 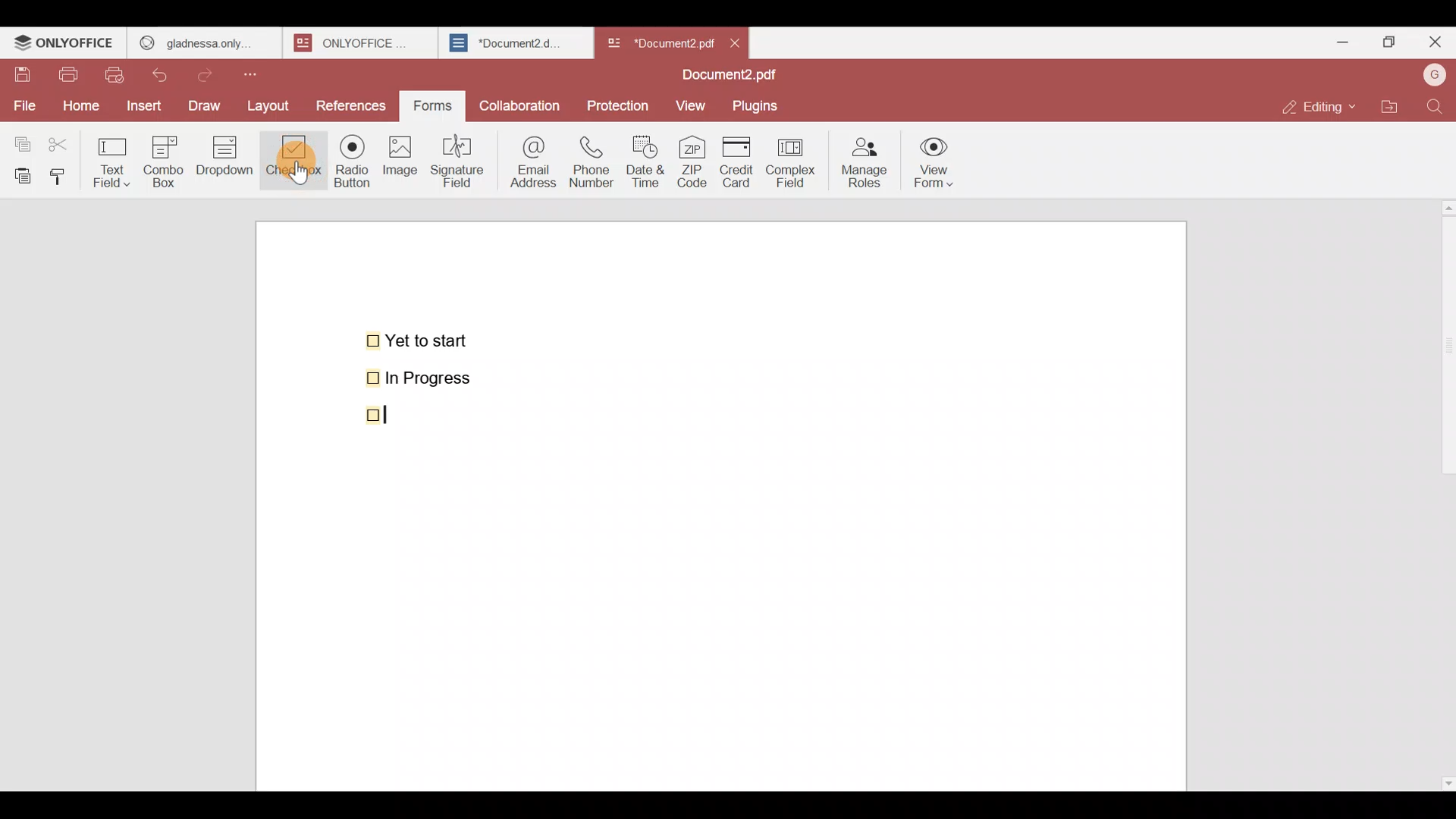 What do you see at coordinates (24, 104) in the screenshot?
I see `File` at bounding box center [24, 104].